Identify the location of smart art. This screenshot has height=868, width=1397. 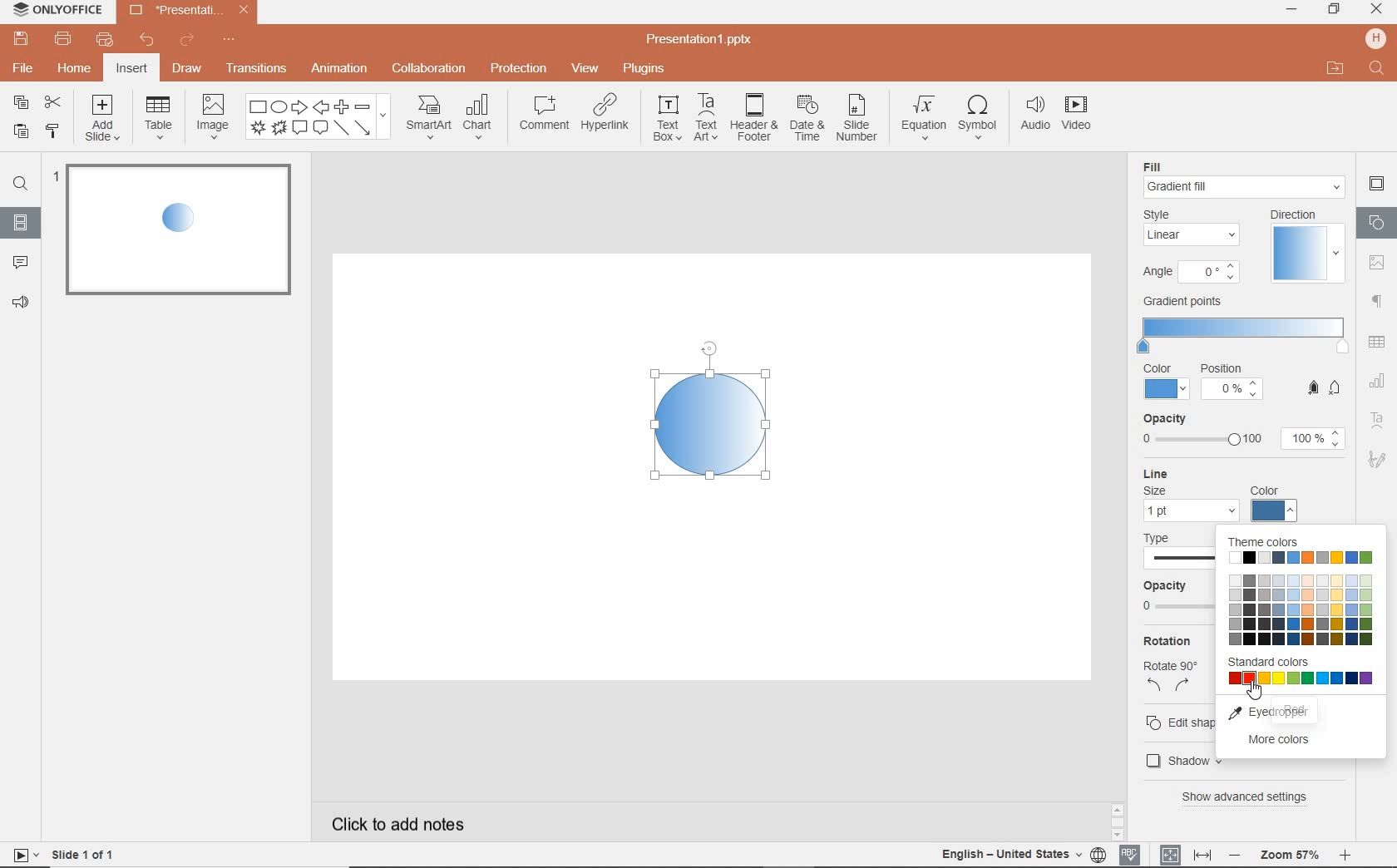
(428, 118).